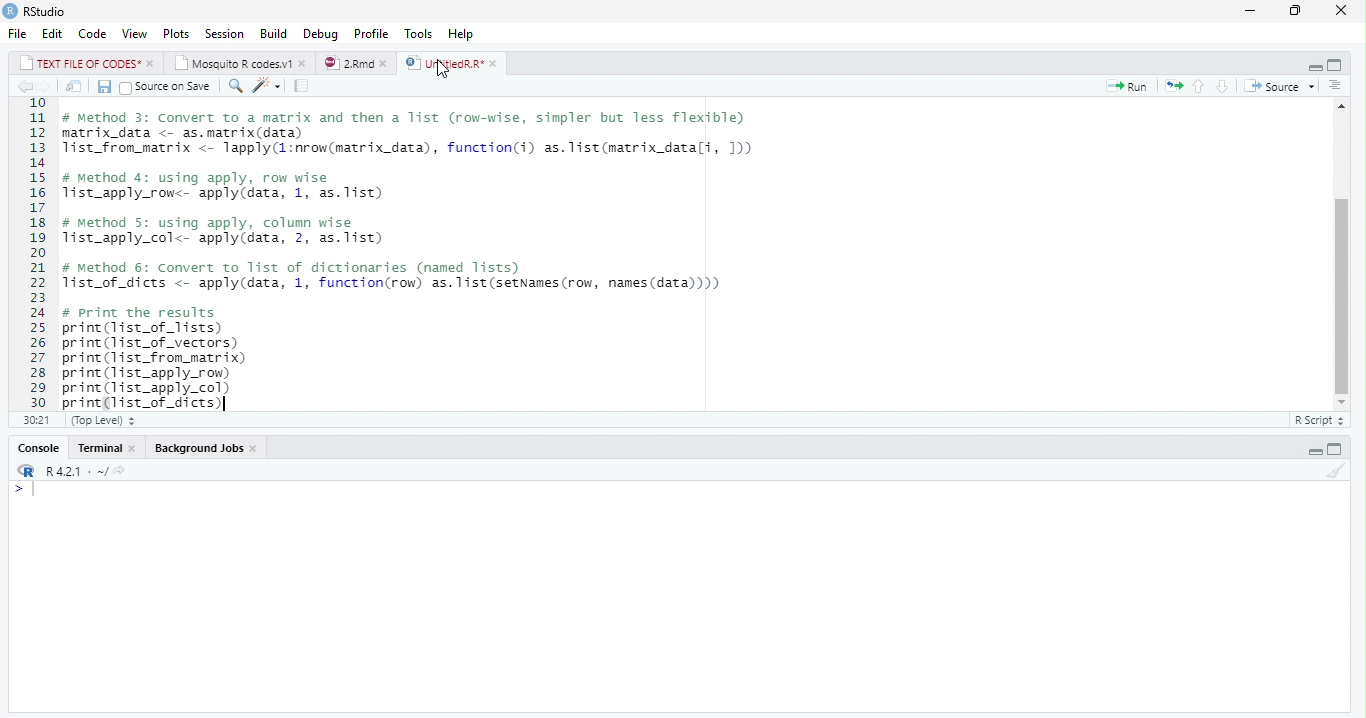 This screenshot has height=718, width=1366. Describe the element at coordinates (34, 419) in the screenshot. I see `1:1` at that location.